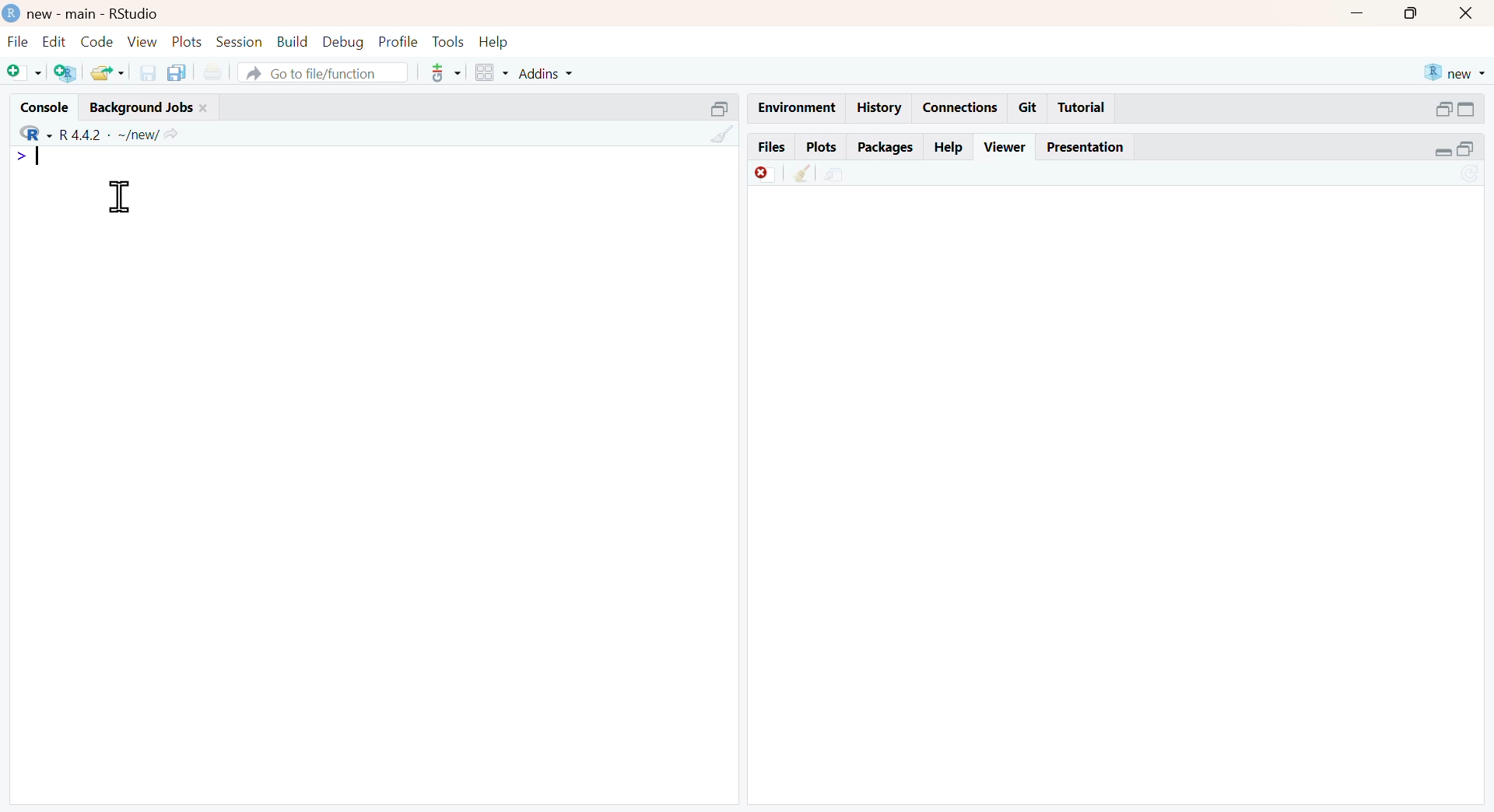 This screenshot has width=1494, height=812. What do you see at coordinates (19, 157) in the screenshot?
I see `>` at bounding box center [19, 157].